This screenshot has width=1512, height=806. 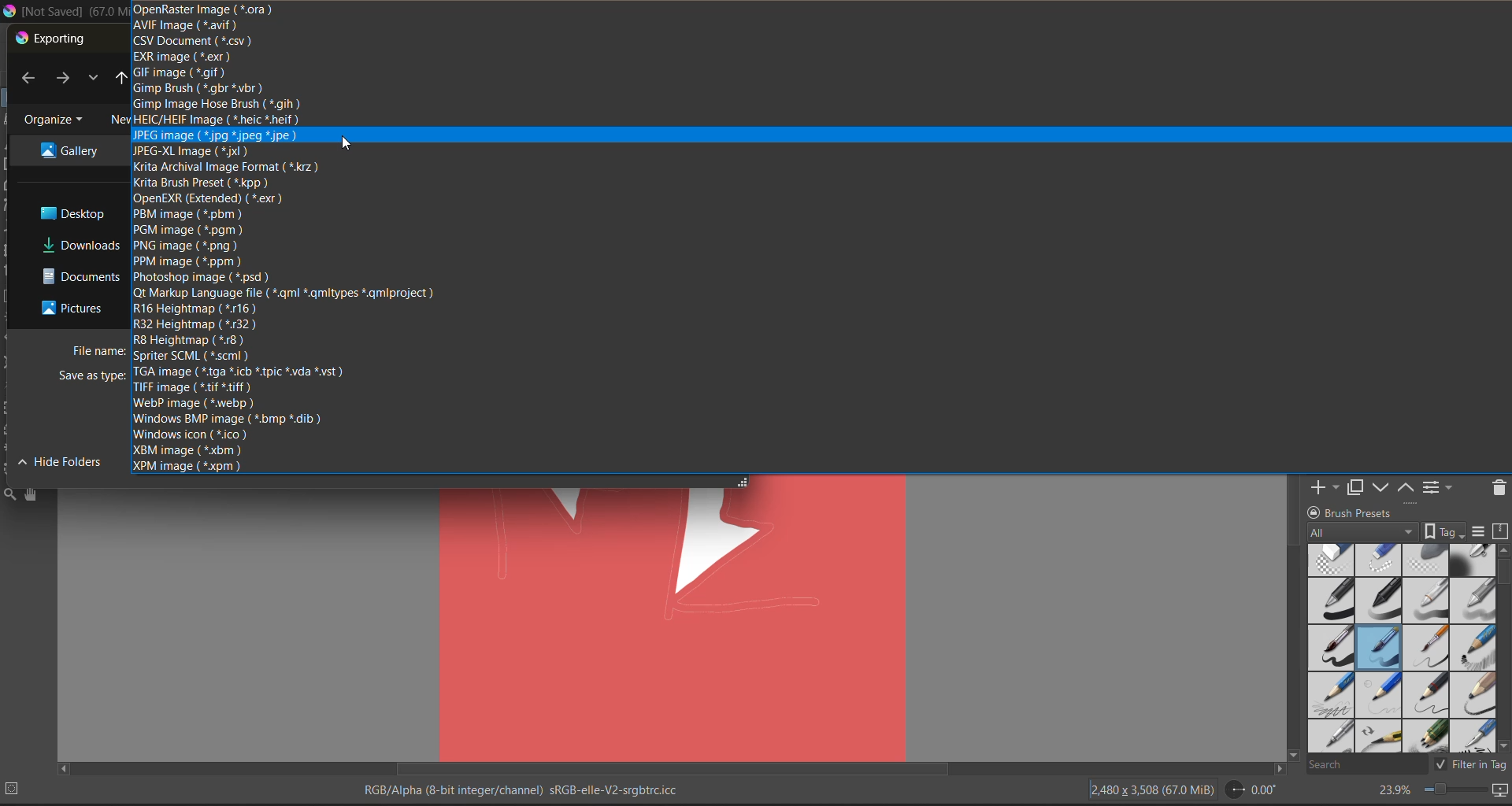 I want to click on back, so click(x=30, y=78).